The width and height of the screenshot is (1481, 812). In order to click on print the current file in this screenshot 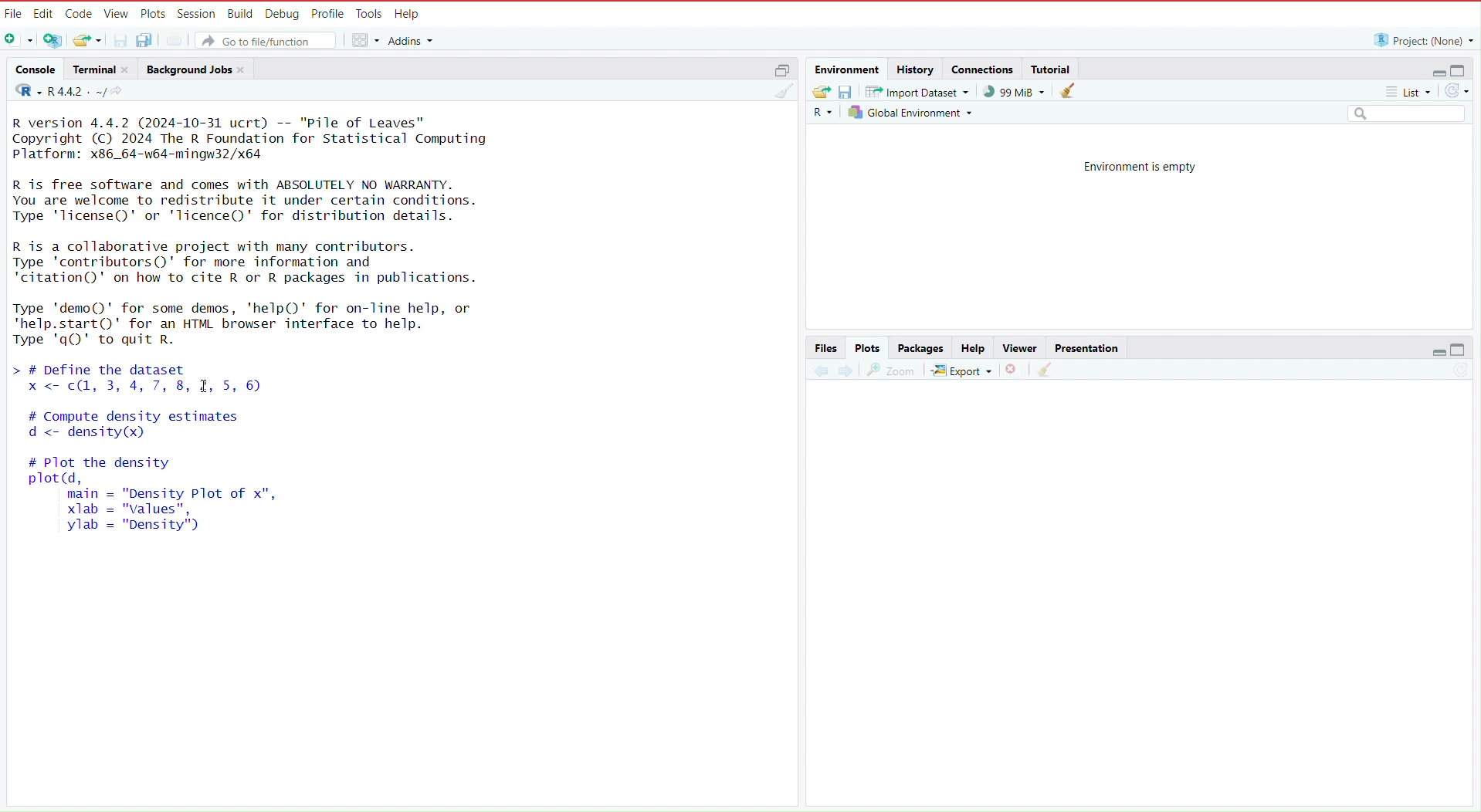, I will do `click(174, 41)`.